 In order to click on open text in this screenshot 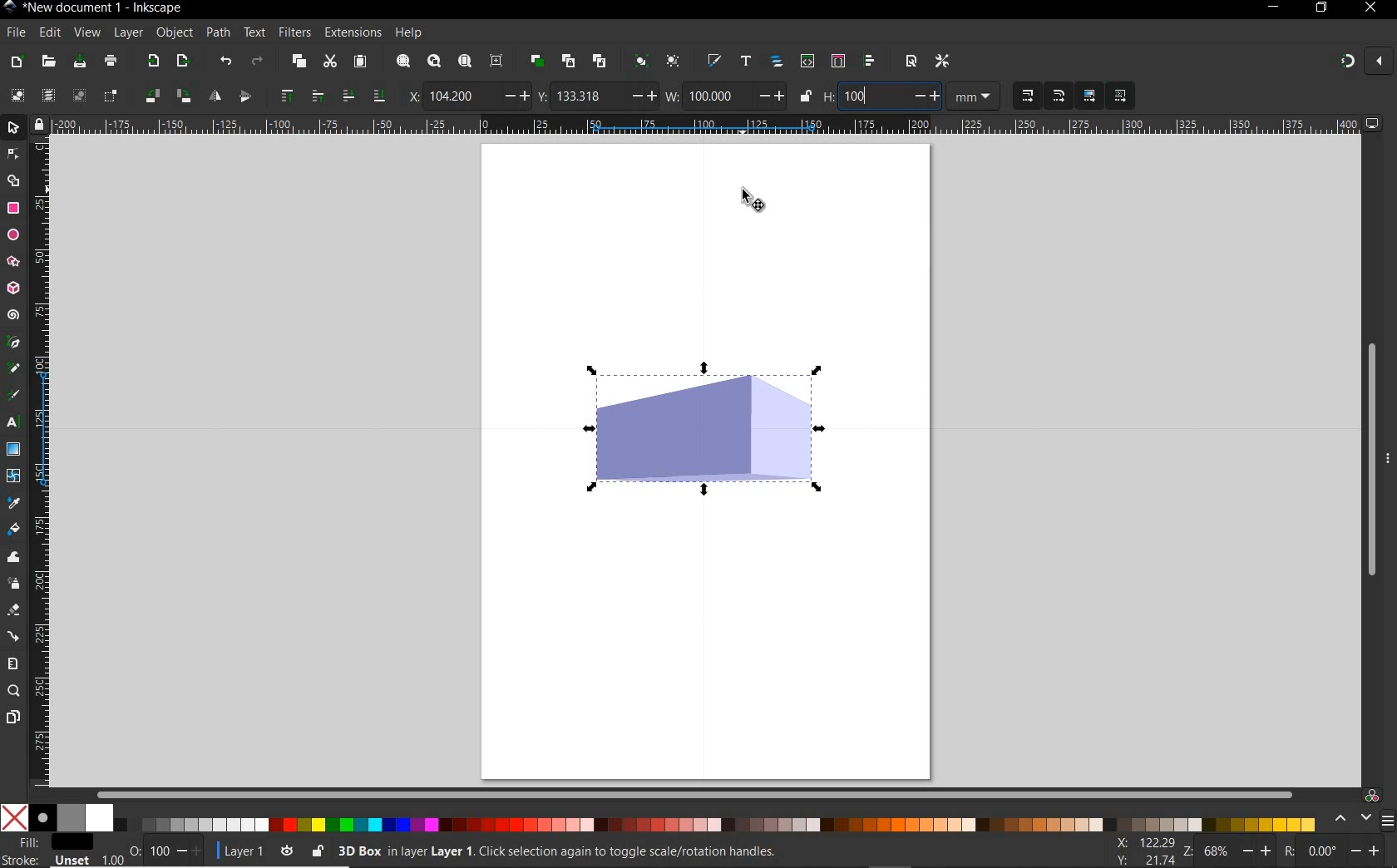, I will do `click(745, 62)`.